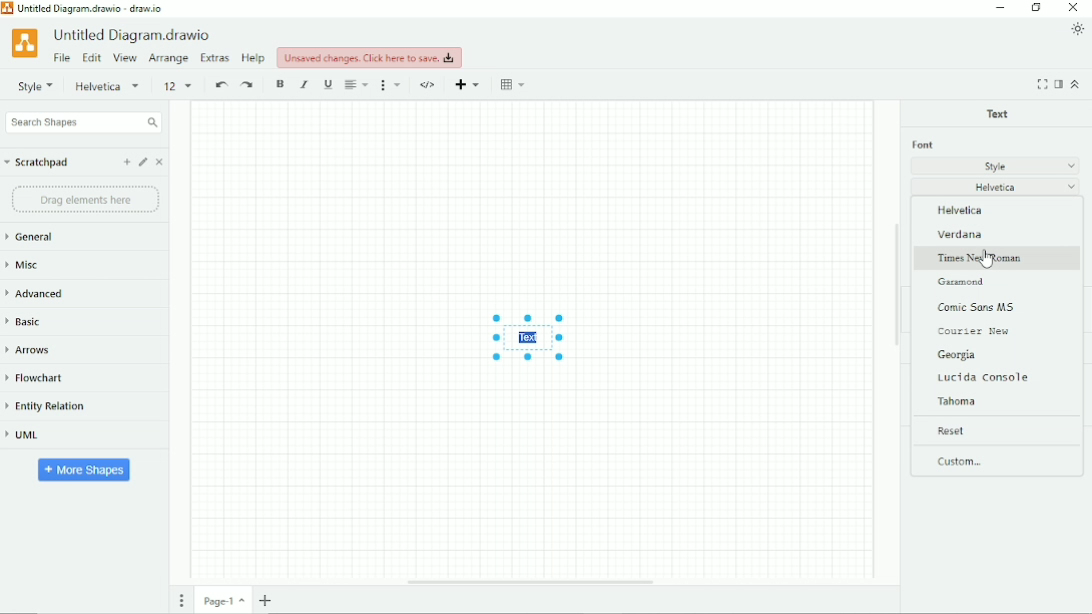 The width and height of the screenshot is (1092, 614). What do you see at coordinates (38, 293) in the screenshot?
I see `Advanced` at bounding box center [38, 293].